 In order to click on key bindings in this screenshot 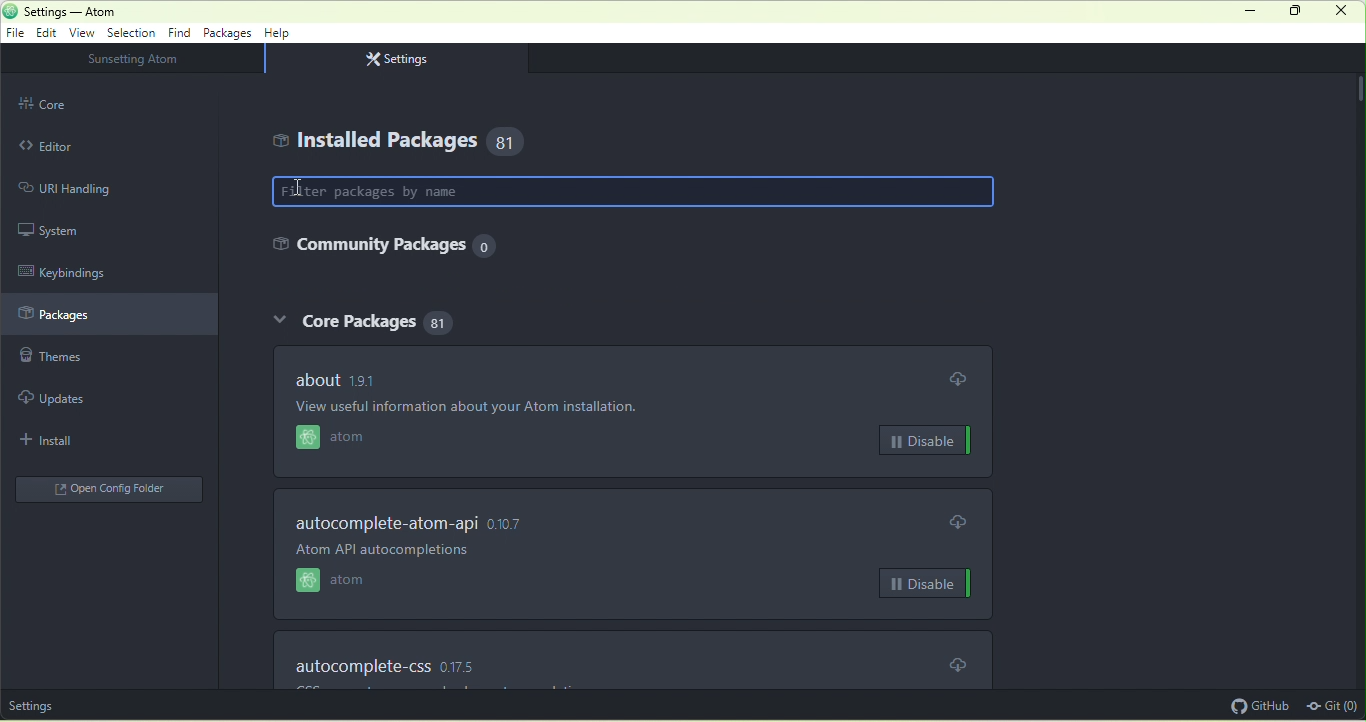, I will do `click(80, 270)`.